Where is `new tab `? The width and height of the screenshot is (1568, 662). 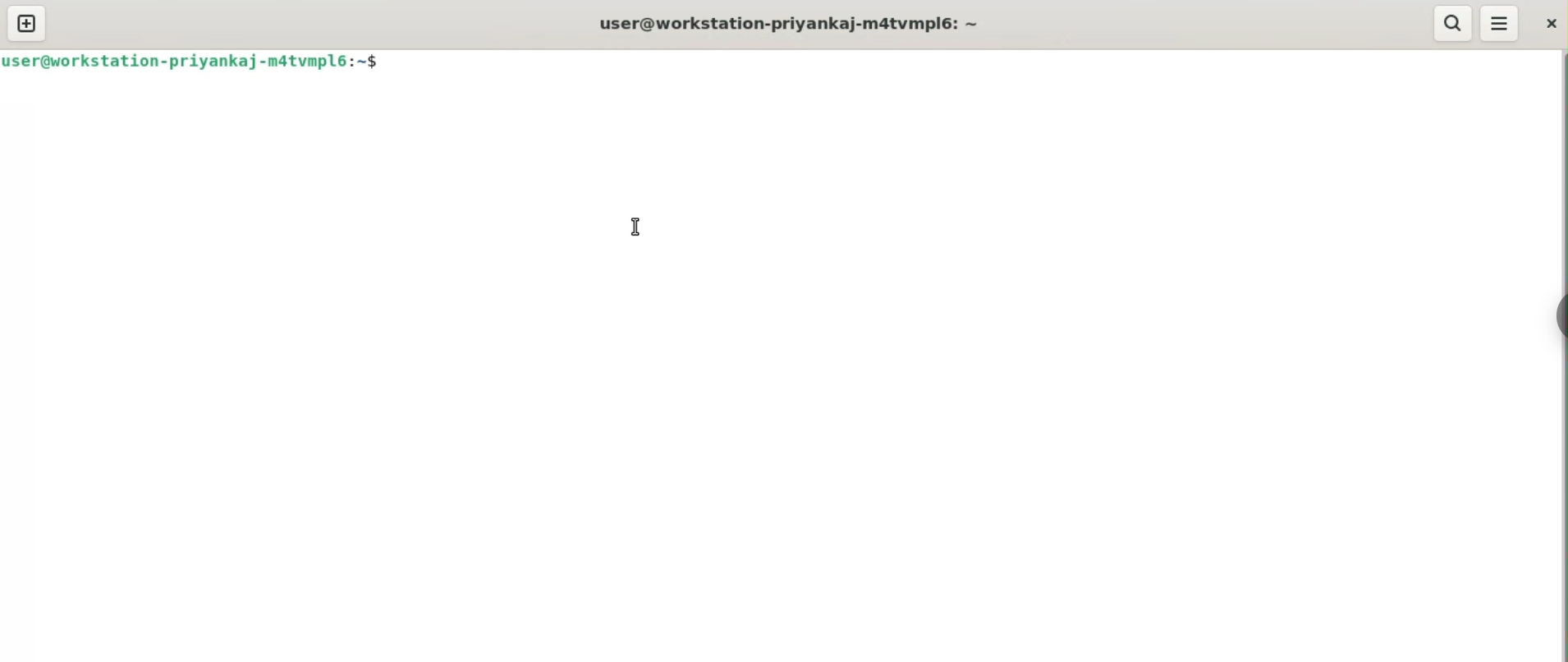 new tab  is located at coordinates (27, 23).